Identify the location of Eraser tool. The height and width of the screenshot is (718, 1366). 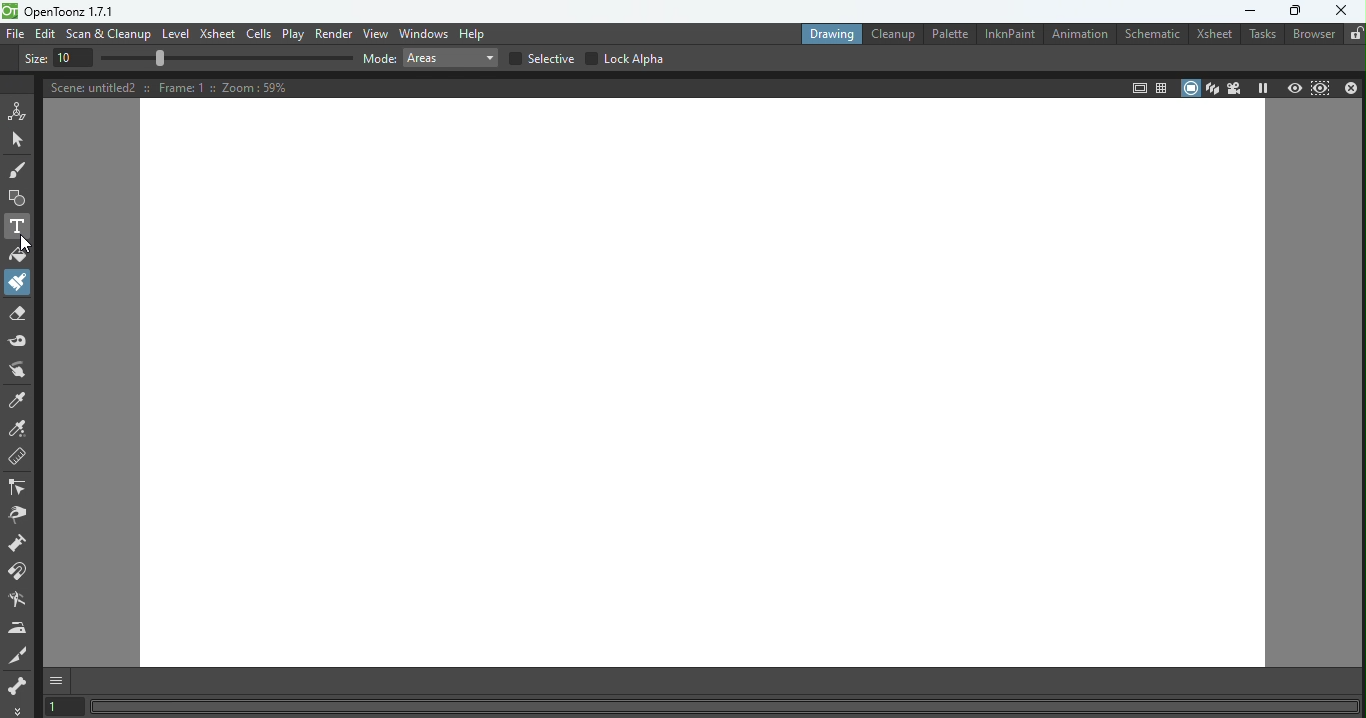
(18, 312).